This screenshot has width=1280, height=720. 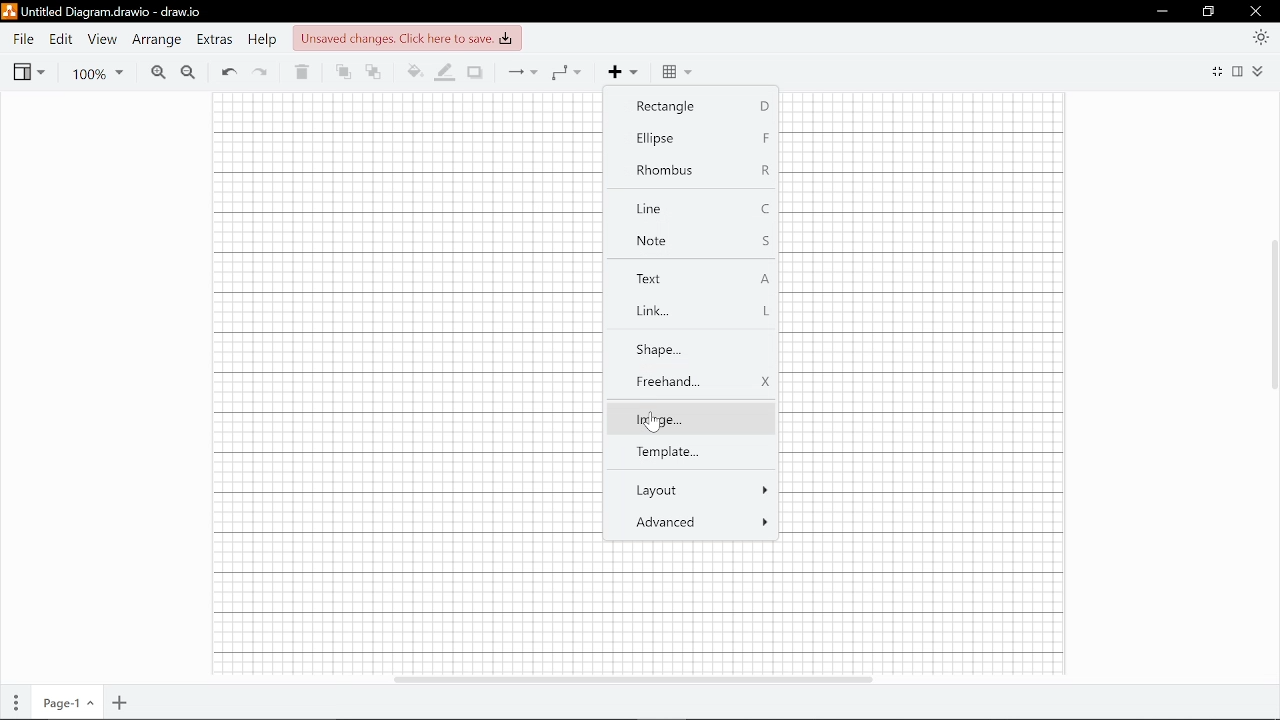 I want to click on File, so click(x=22, y=40).